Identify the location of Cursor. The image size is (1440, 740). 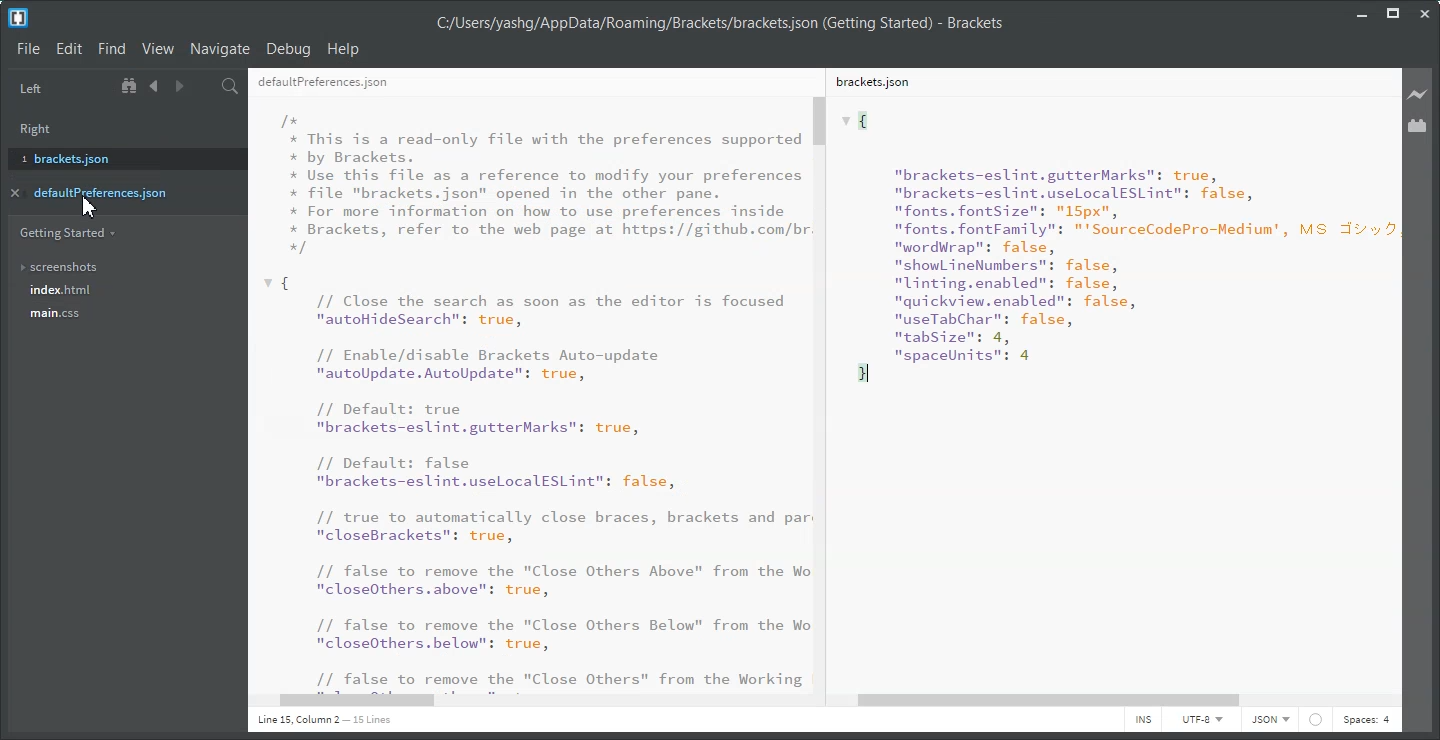
(90, 206).